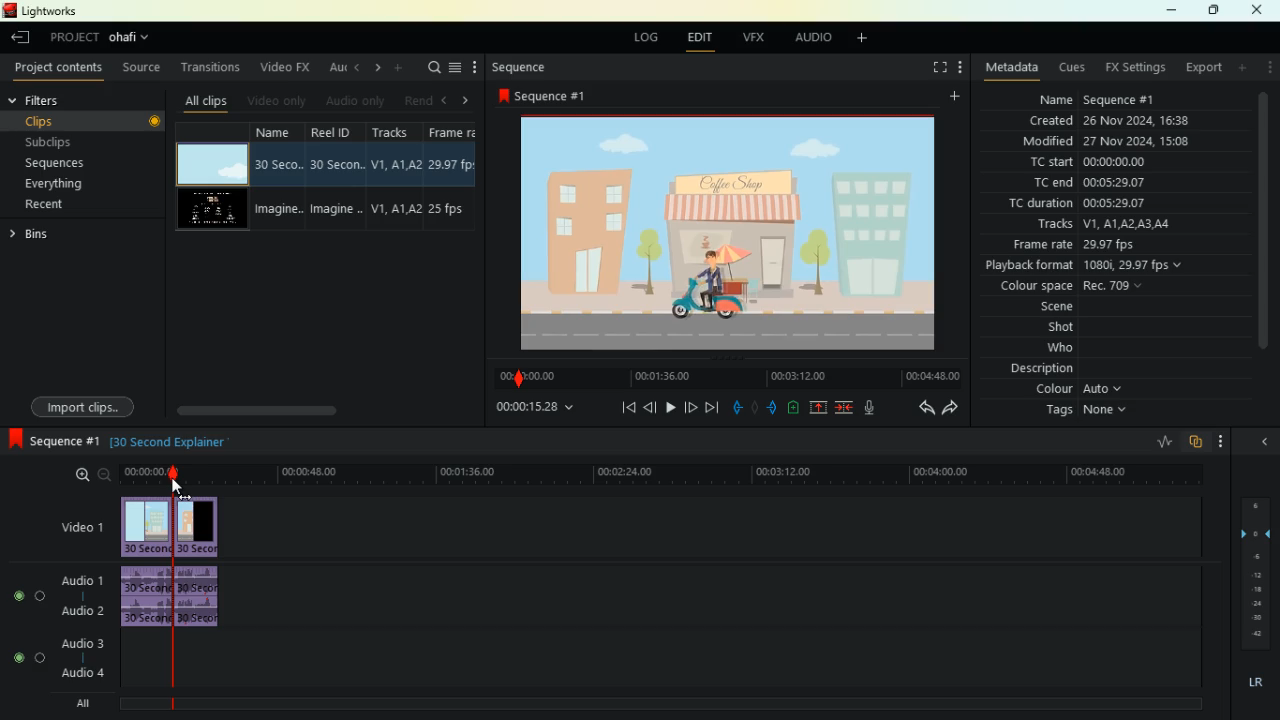 The height and width of the screenshot is (720, 1280). Describe the element at coordinates (205, 599) in the screenshot. I see `audio` at that location.